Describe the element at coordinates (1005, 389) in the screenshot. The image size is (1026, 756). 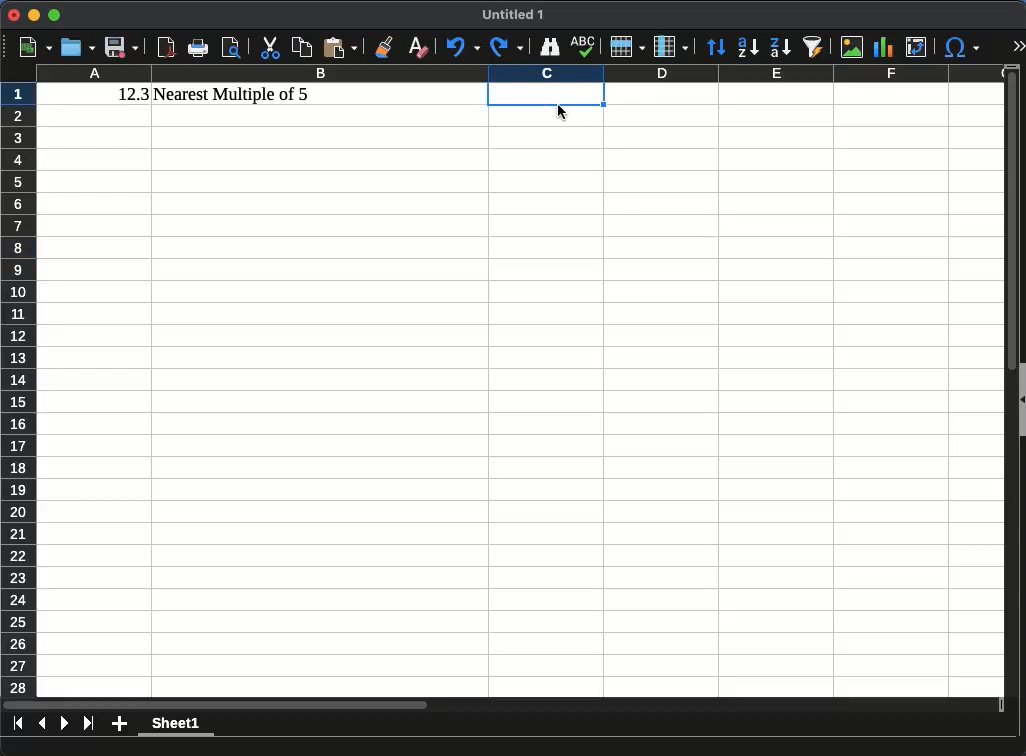
I see `scroll` at that location.